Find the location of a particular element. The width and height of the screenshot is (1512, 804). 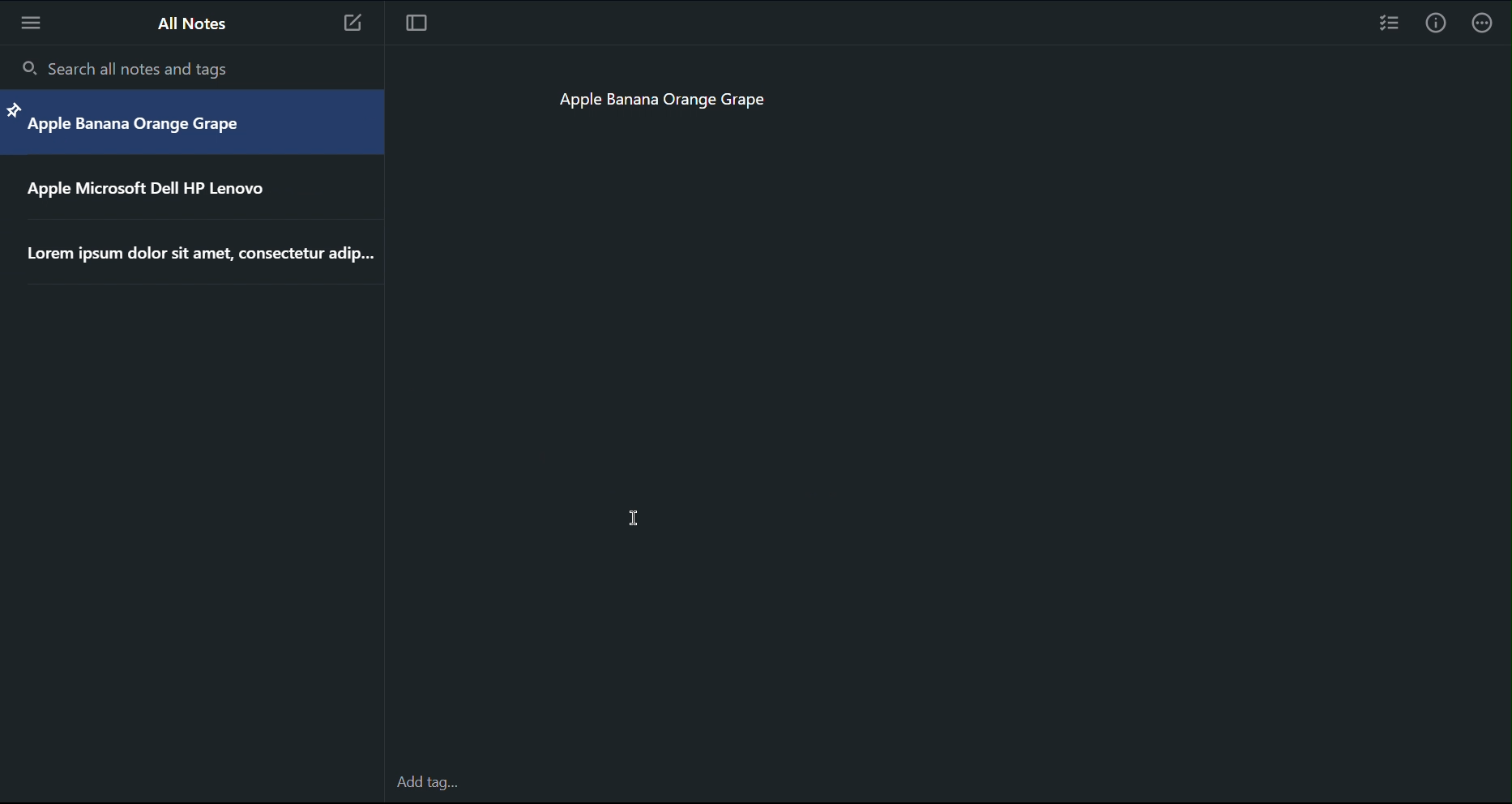

Search all notes and tags0 is located at coordinates (134, 70).